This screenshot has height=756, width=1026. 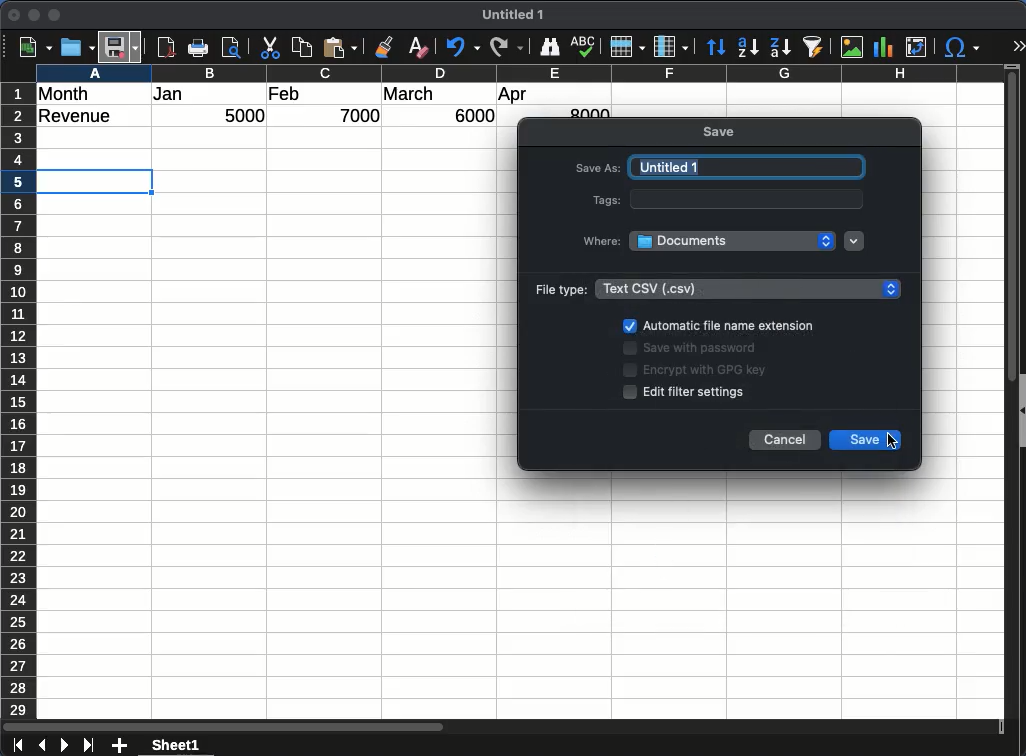 What do you see at coordinates (388, 47) in the screenshot?
I see `clone formatting` at bounding box center [388, 47].